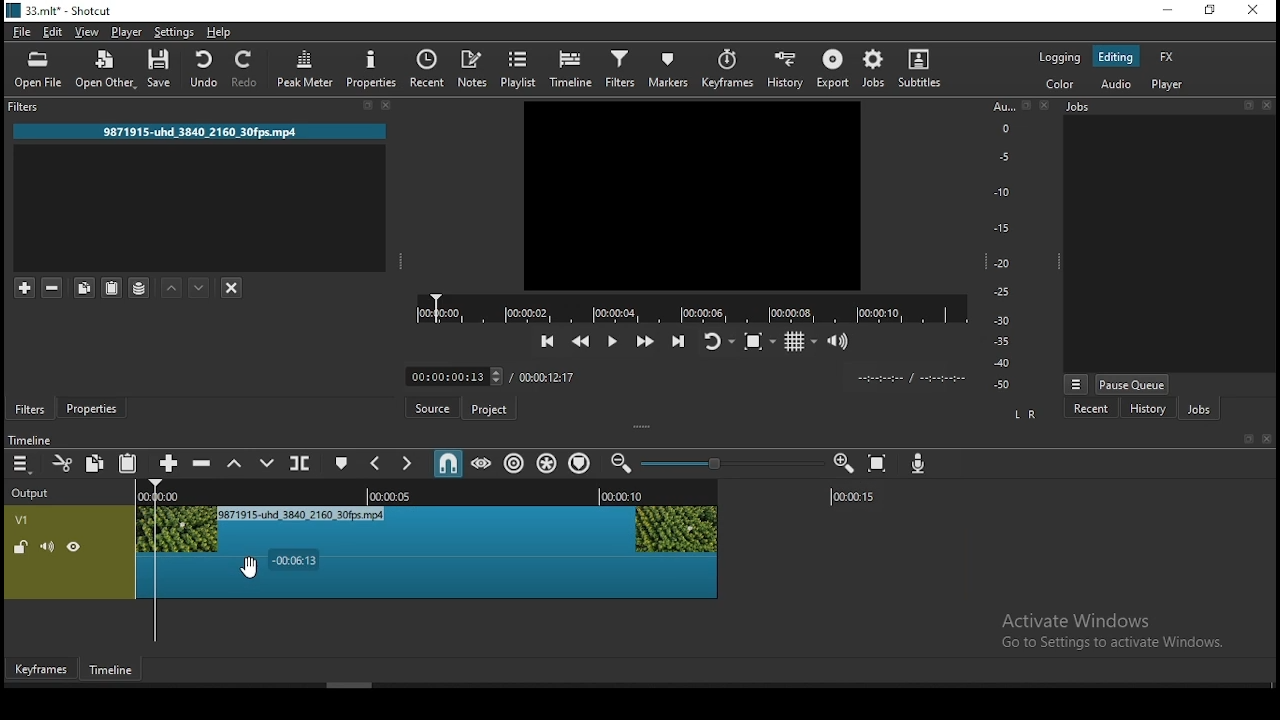  Describe the element at coordinates (233, 289) in the screenshot. I see `deselct filter` at that location.